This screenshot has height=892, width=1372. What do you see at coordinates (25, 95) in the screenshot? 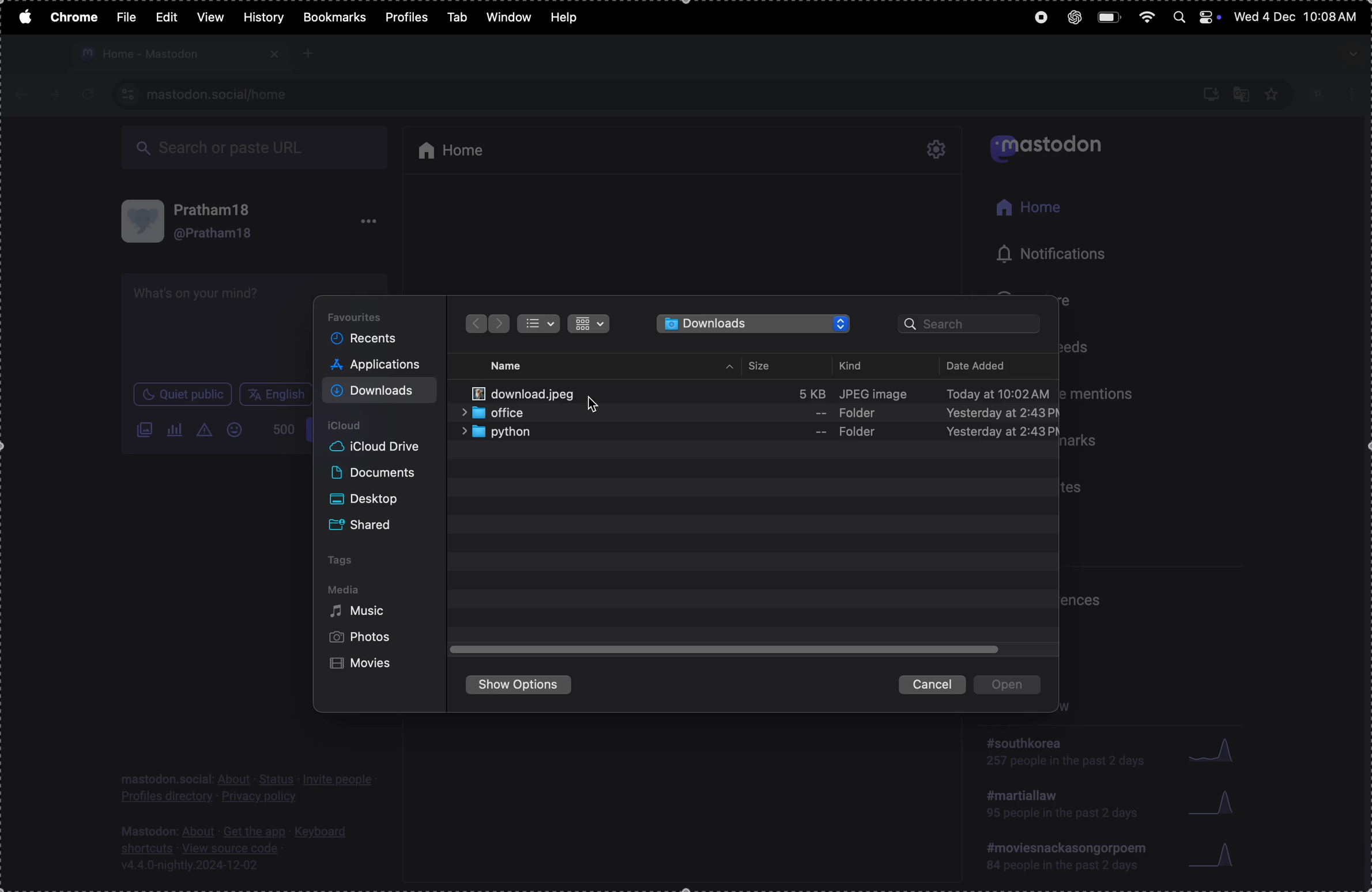
I see `previous tab` at bounding box center [25, 95].